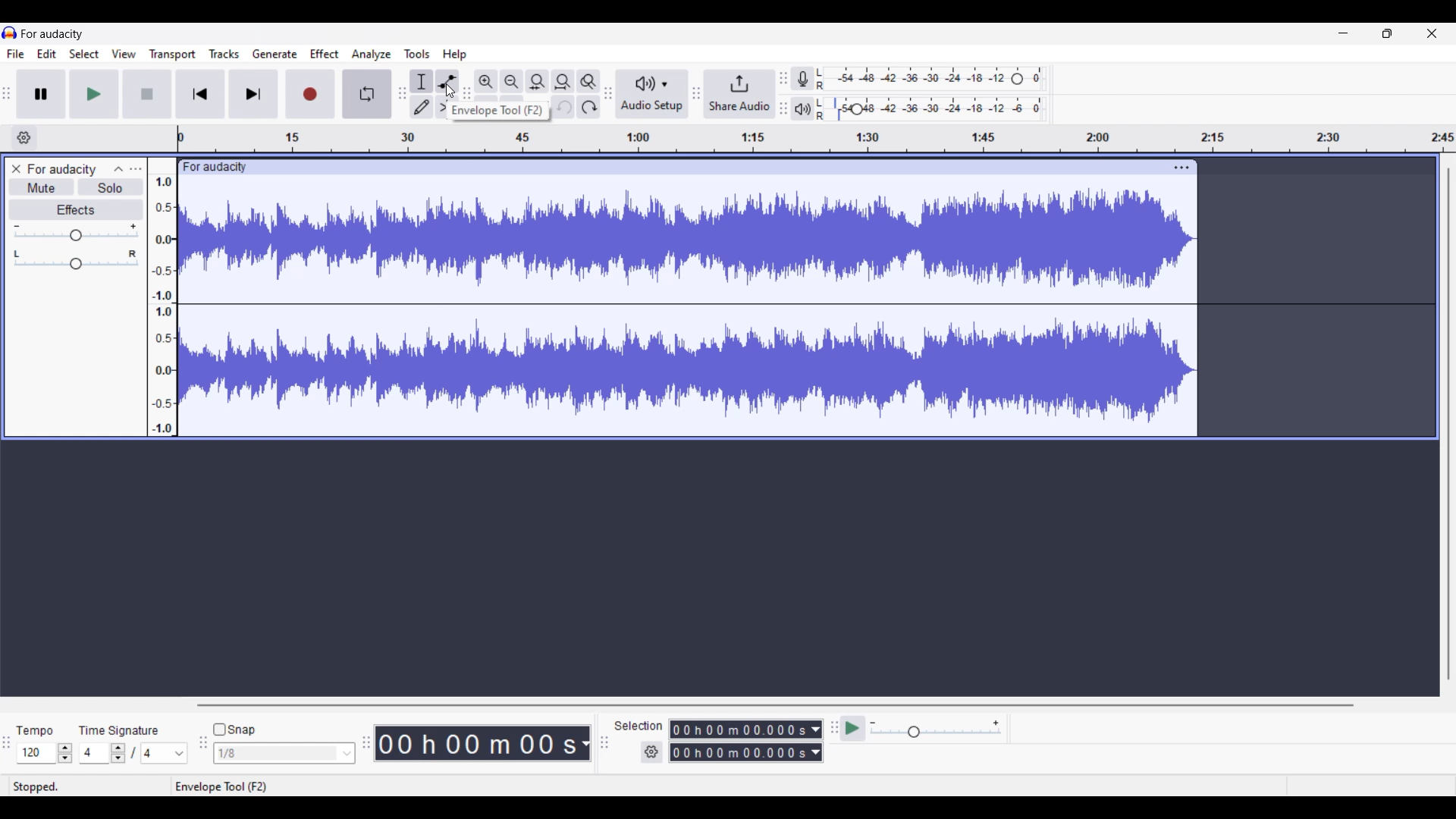  Describe the element at coordinates (563, 107) in the screenshot. I see `Undo` at that location.